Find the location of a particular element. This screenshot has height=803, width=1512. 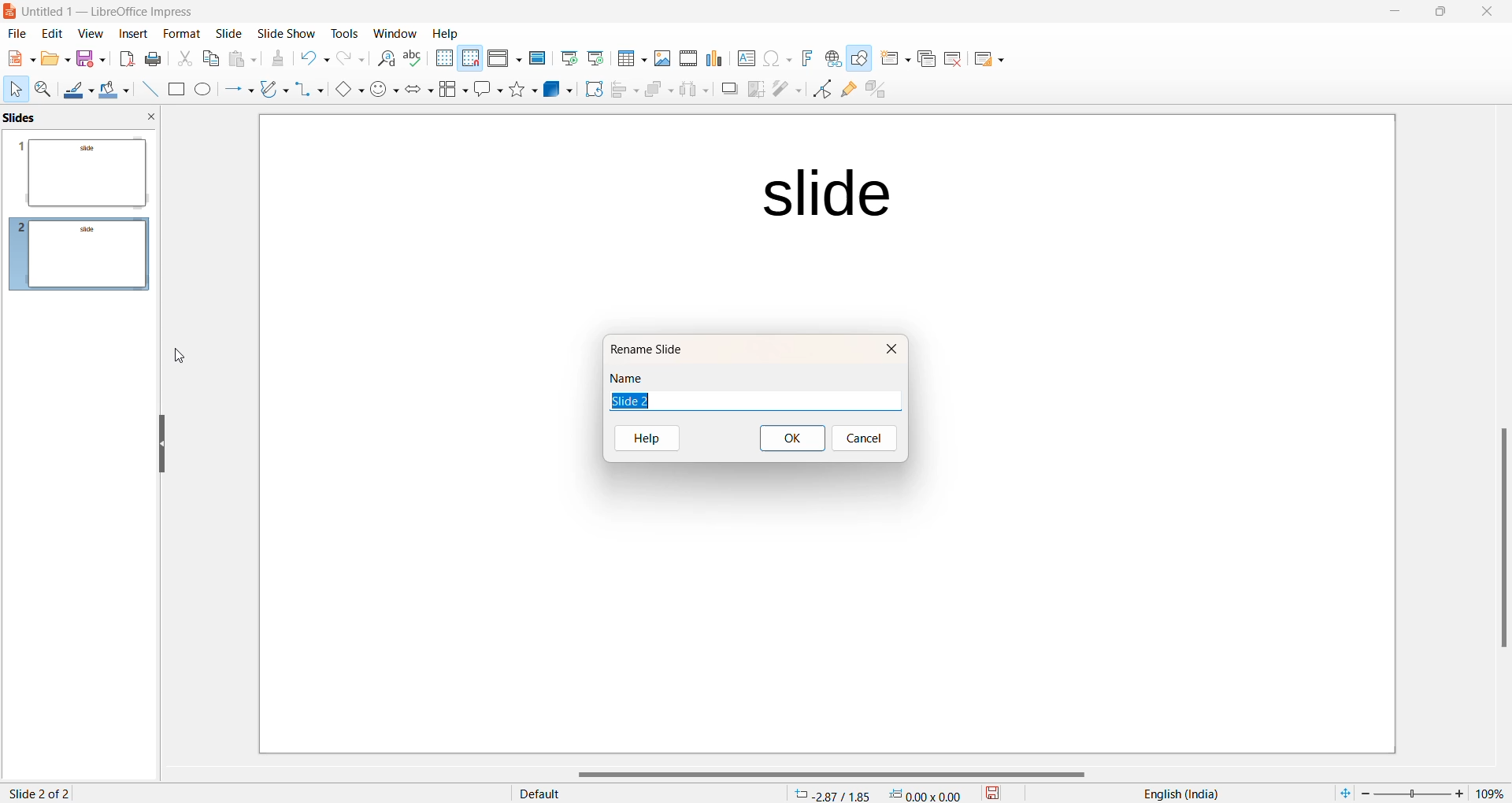

save is located at coordinates (992, 794).